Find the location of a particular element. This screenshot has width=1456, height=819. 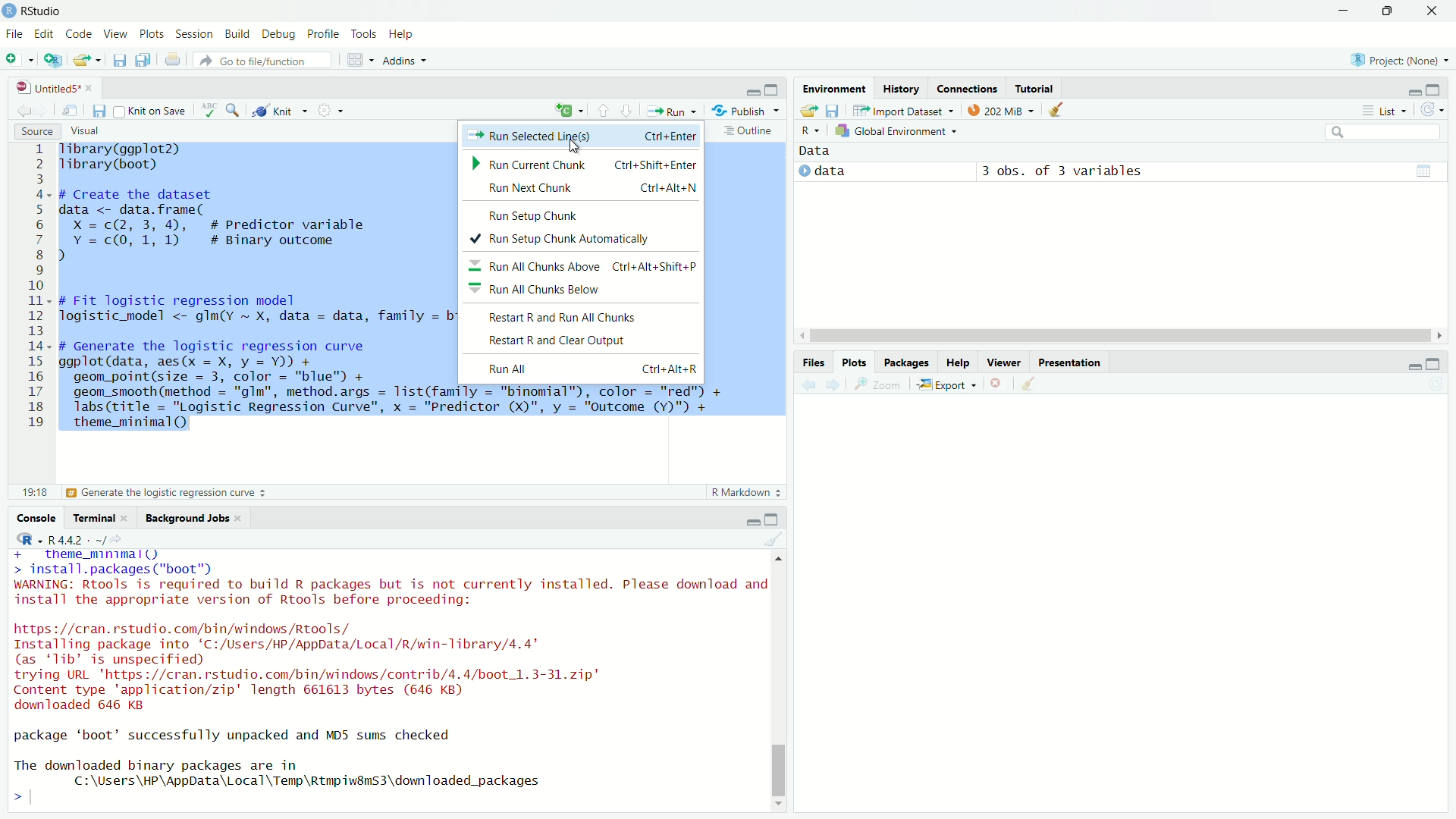

Save current document is located at coordinates (99, 111).